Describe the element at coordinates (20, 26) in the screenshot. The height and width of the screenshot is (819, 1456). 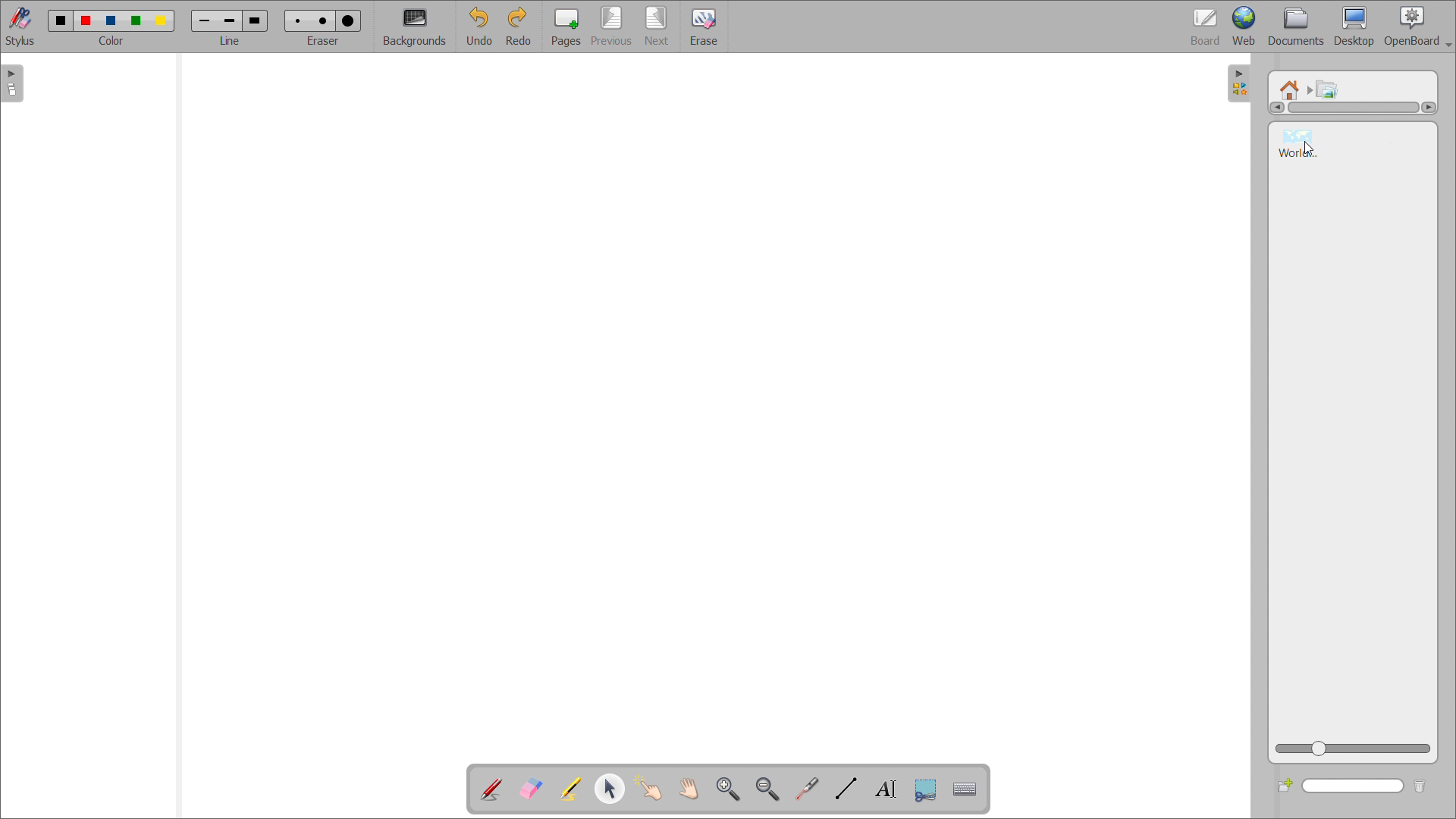
I see `stylus` at that location.